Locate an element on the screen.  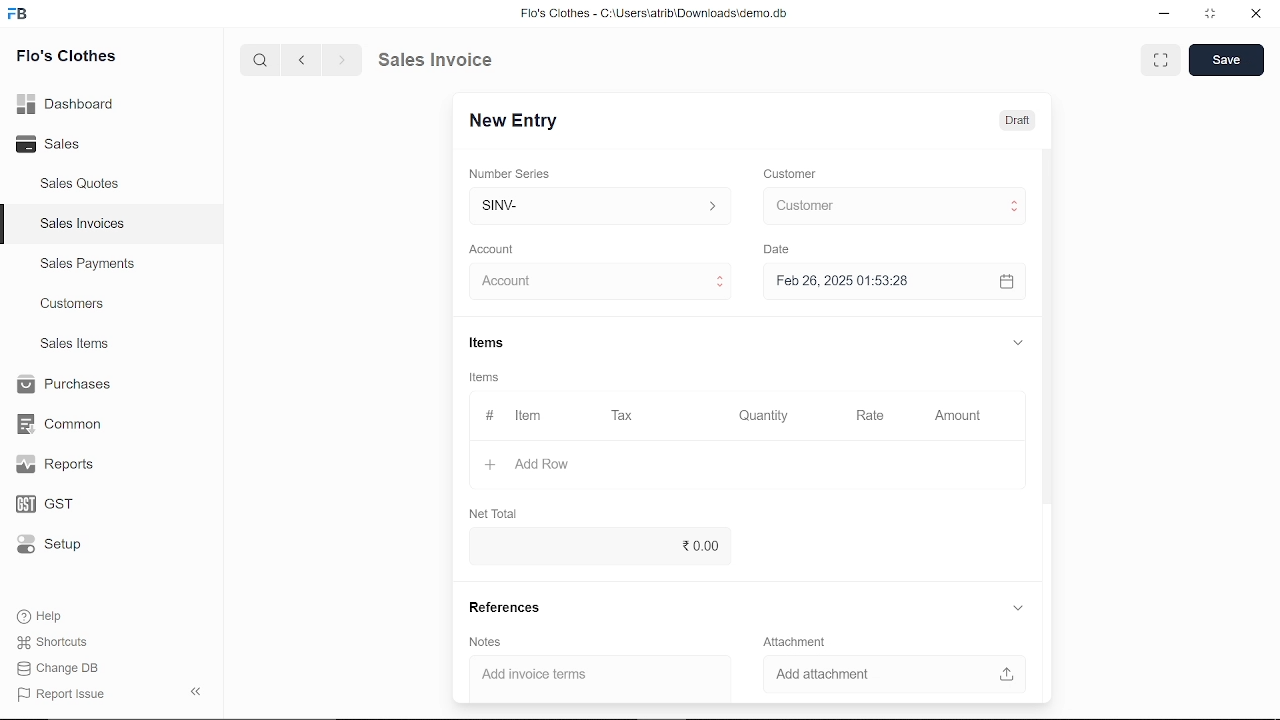
open calender is located at coordinates (1006, 281).